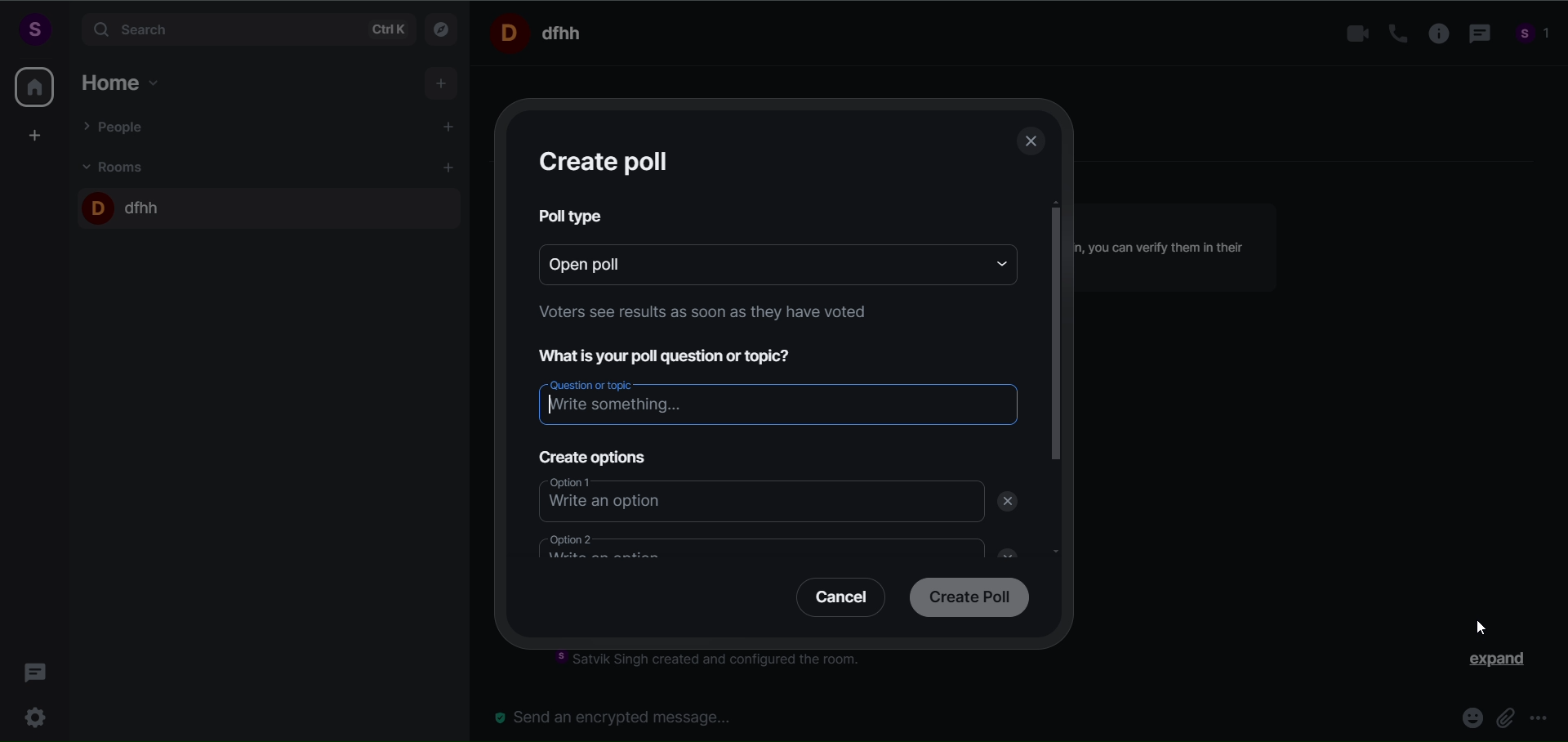  What do you see at coordinates (676, 354) in the screenshot?
I see `question` at bounding box center [676, 354].